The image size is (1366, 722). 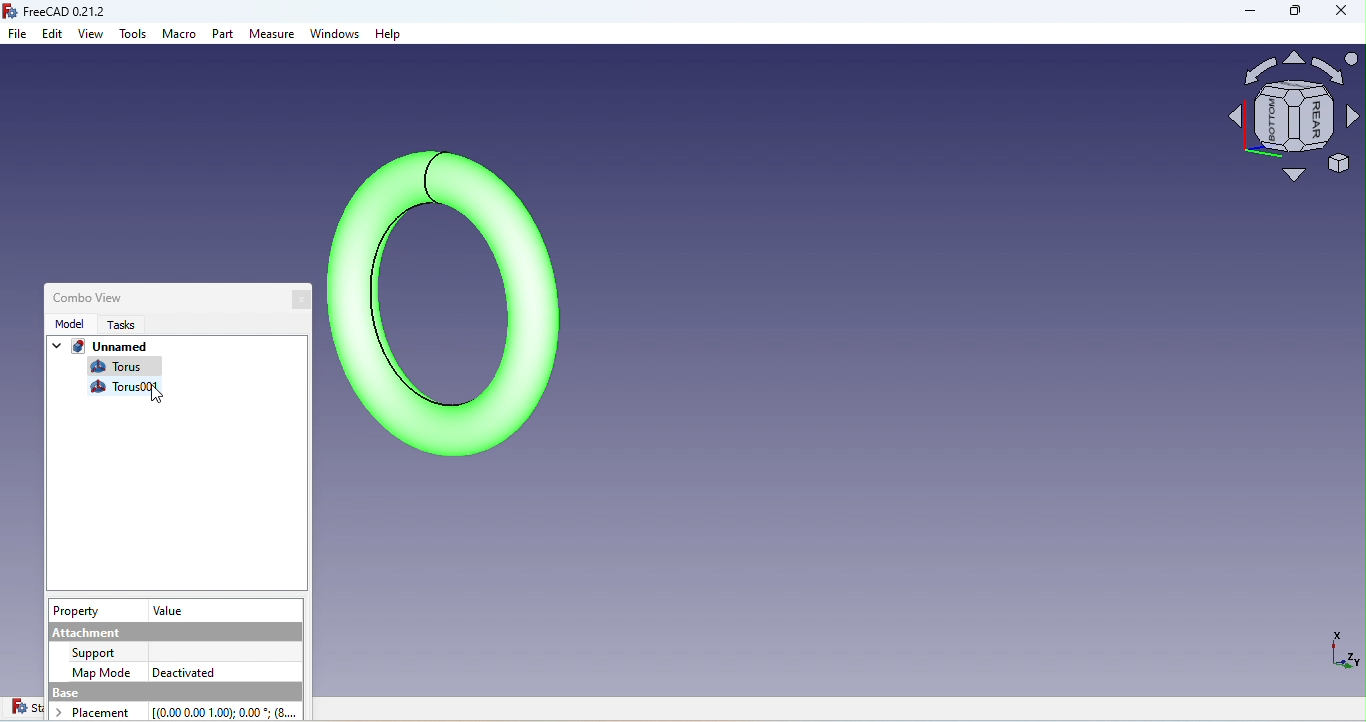 What do you see at coordinates (447, 298) in the screenshot?
I see `Object` at bounding box center [447, 298].